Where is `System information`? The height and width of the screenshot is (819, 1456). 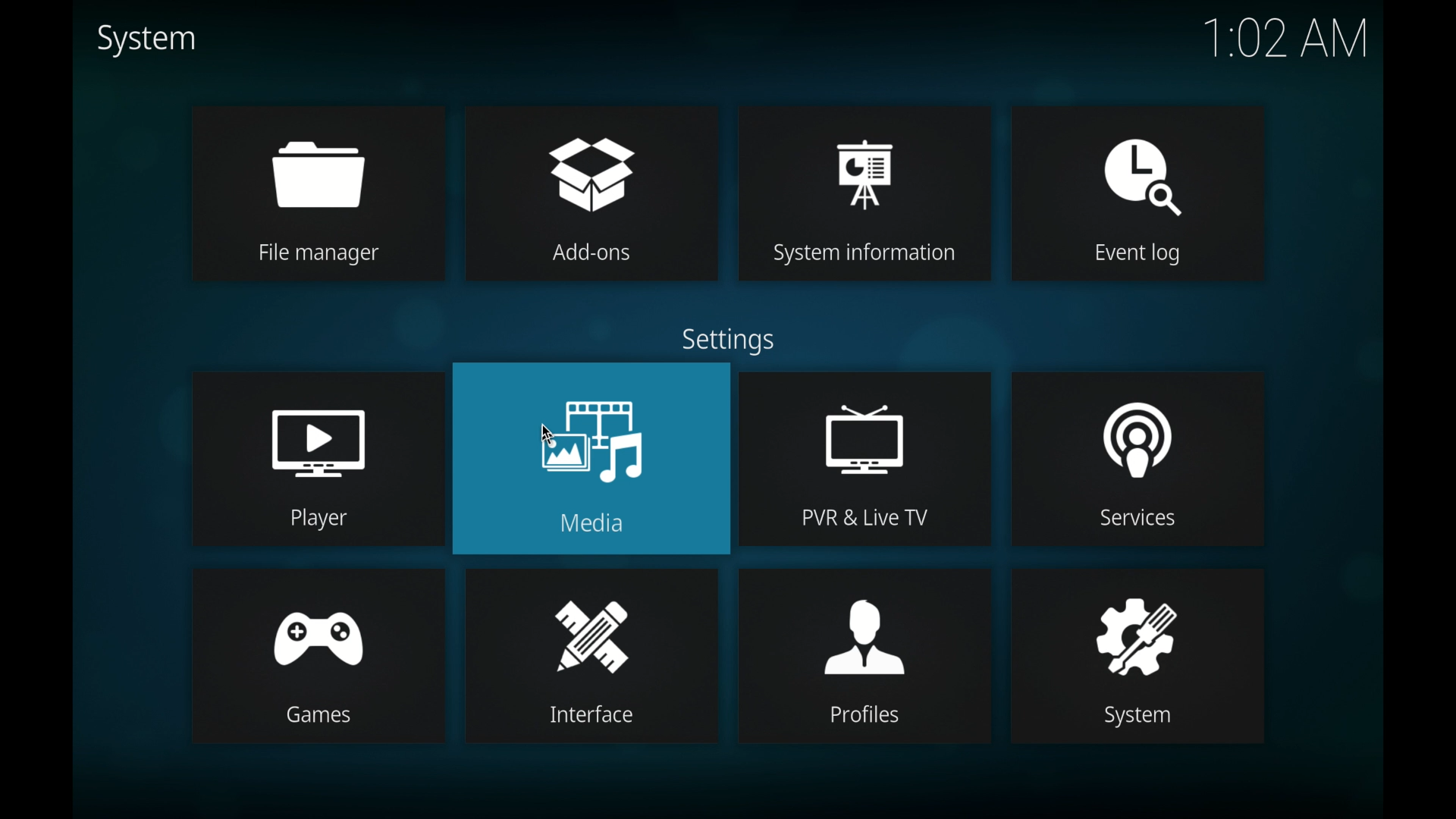 System information is located at coordinates (867, 256).